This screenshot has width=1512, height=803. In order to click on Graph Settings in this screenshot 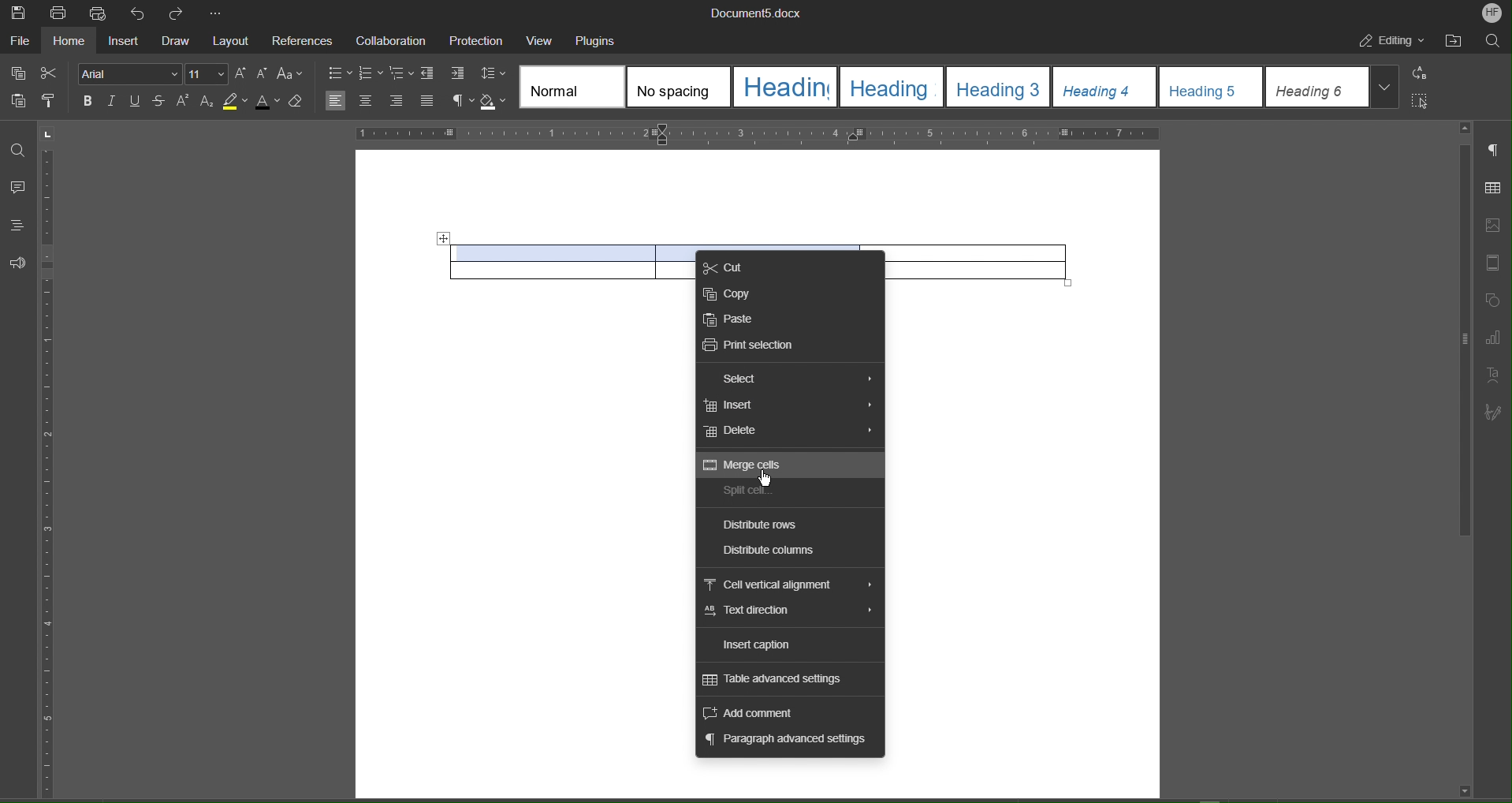, I will do `click(1496, 335)`.